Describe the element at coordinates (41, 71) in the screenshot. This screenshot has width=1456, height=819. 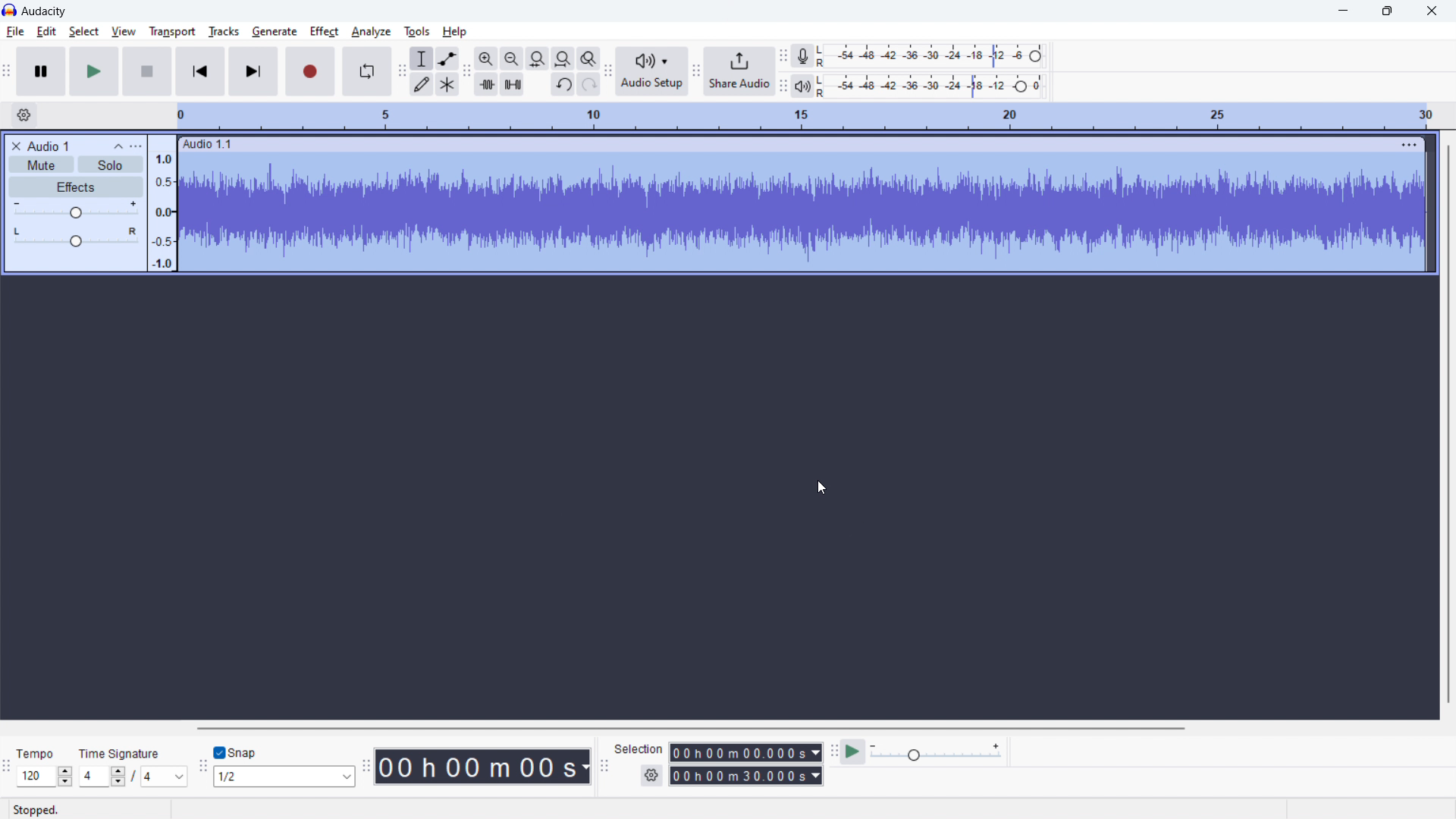
I see `pause` at that location.